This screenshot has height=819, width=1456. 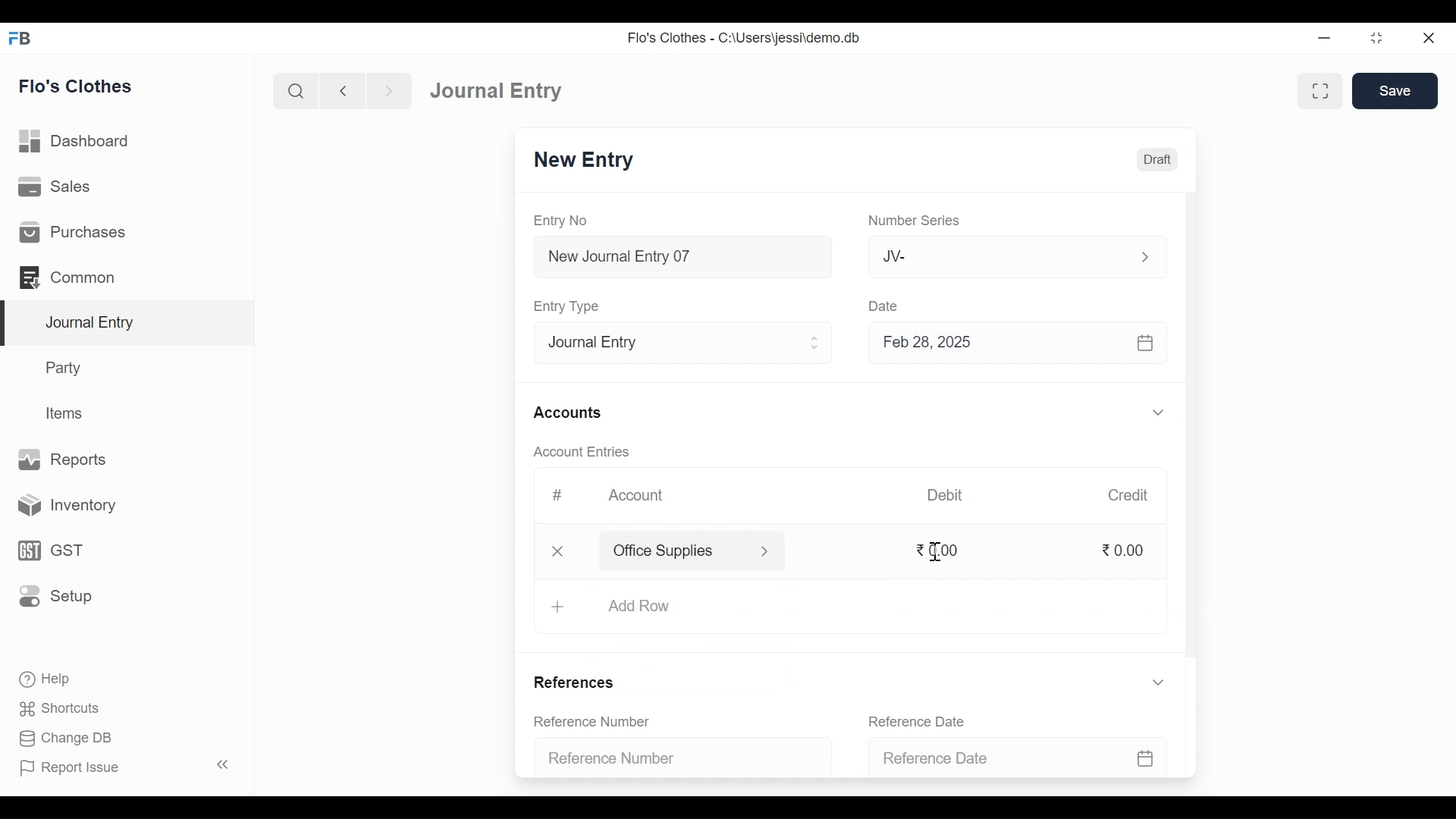 What do you see at coordinates (1429, 39) in the screenshot?
I see `Close` at bounding box center [1429, 39].